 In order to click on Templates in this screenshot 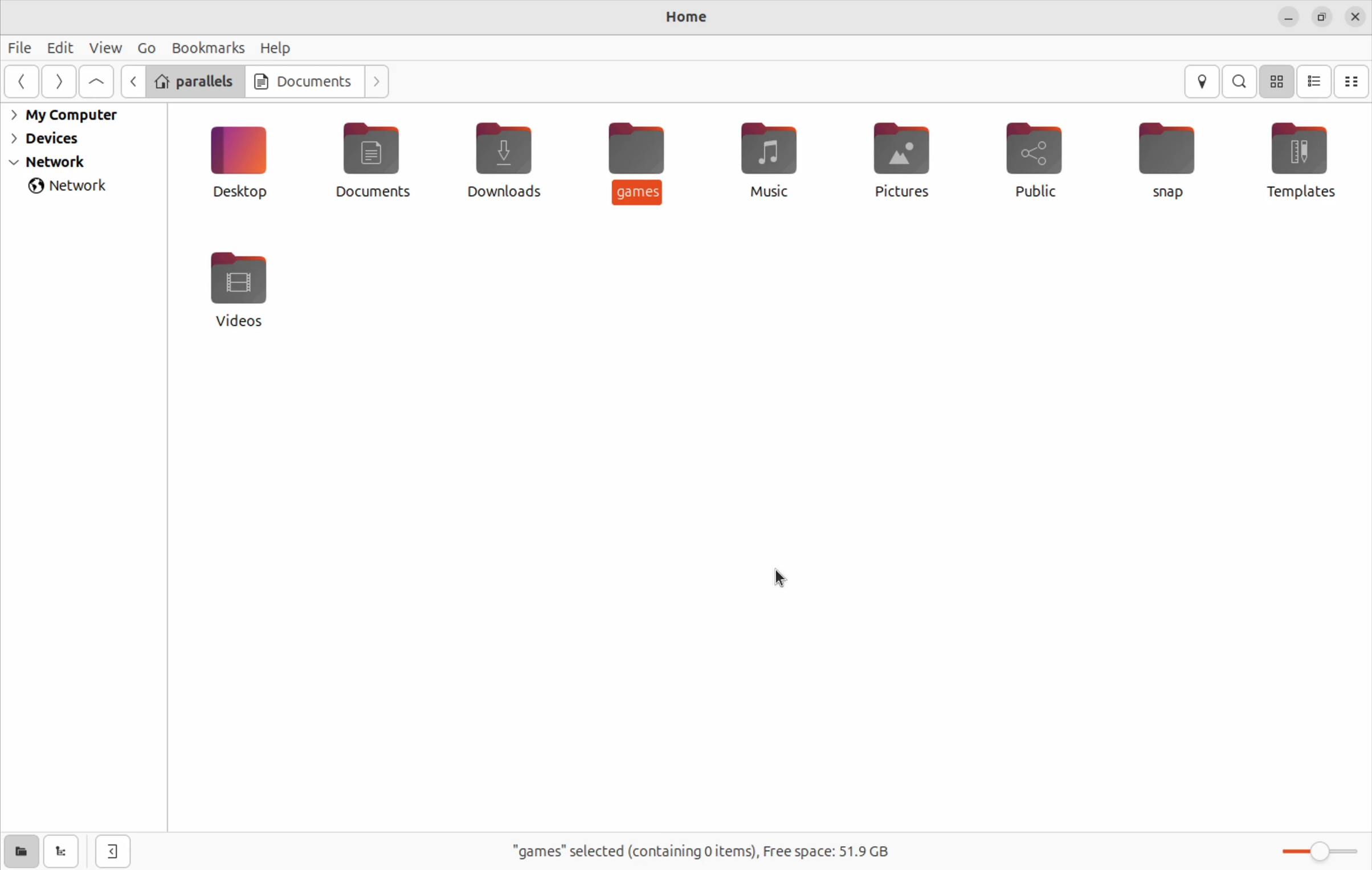, I will do `click(1298, 161)`.